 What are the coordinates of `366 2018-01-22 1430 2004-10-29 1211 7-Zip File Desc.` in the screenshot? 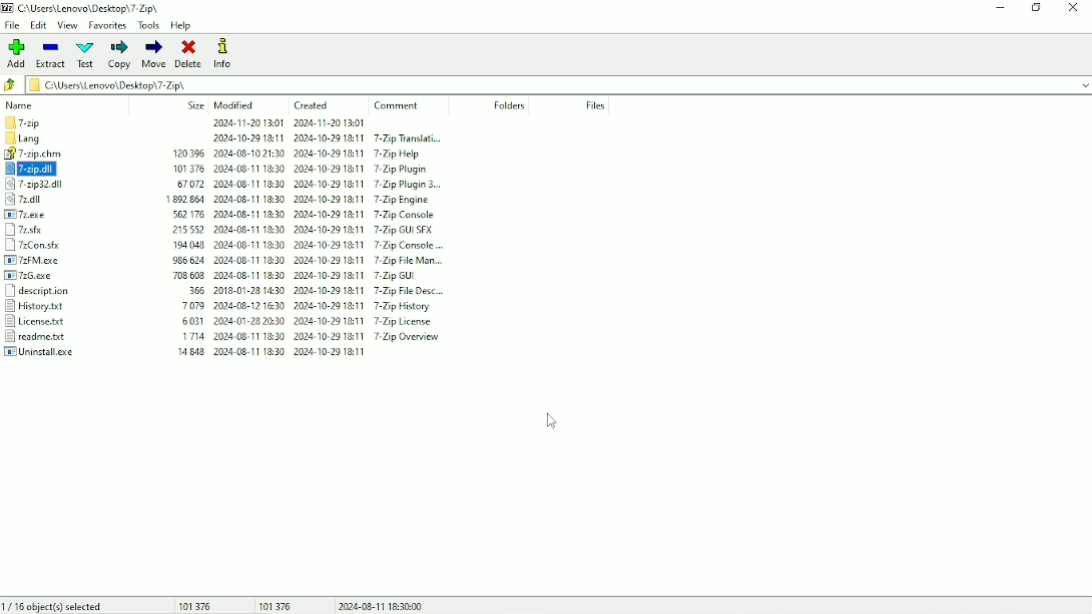 It's located at (318, 290).